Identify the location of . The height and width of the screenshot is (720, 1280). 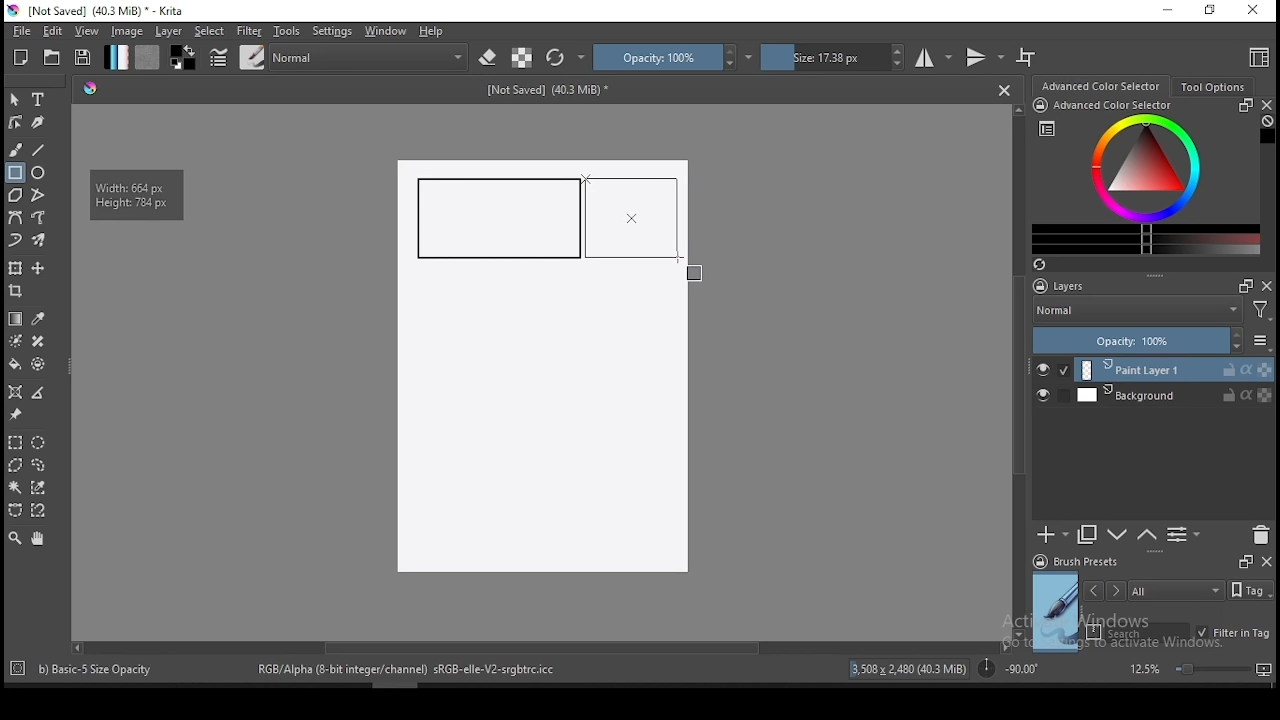
(985, 55).